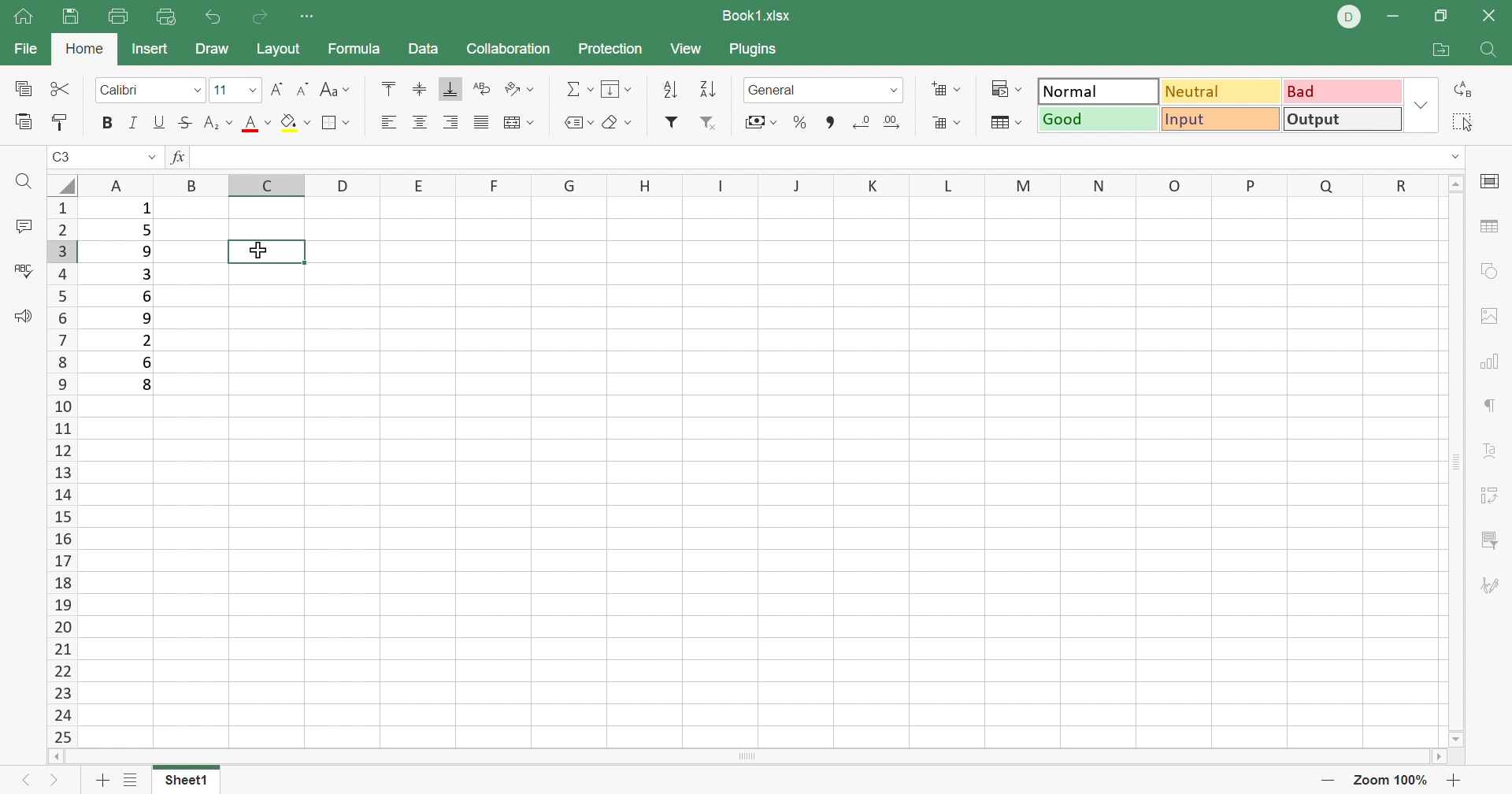 The image size is (1512, 794). Describe the element at coordinates (517, 124) in the screenshot. I see `Merge and center` at that location.